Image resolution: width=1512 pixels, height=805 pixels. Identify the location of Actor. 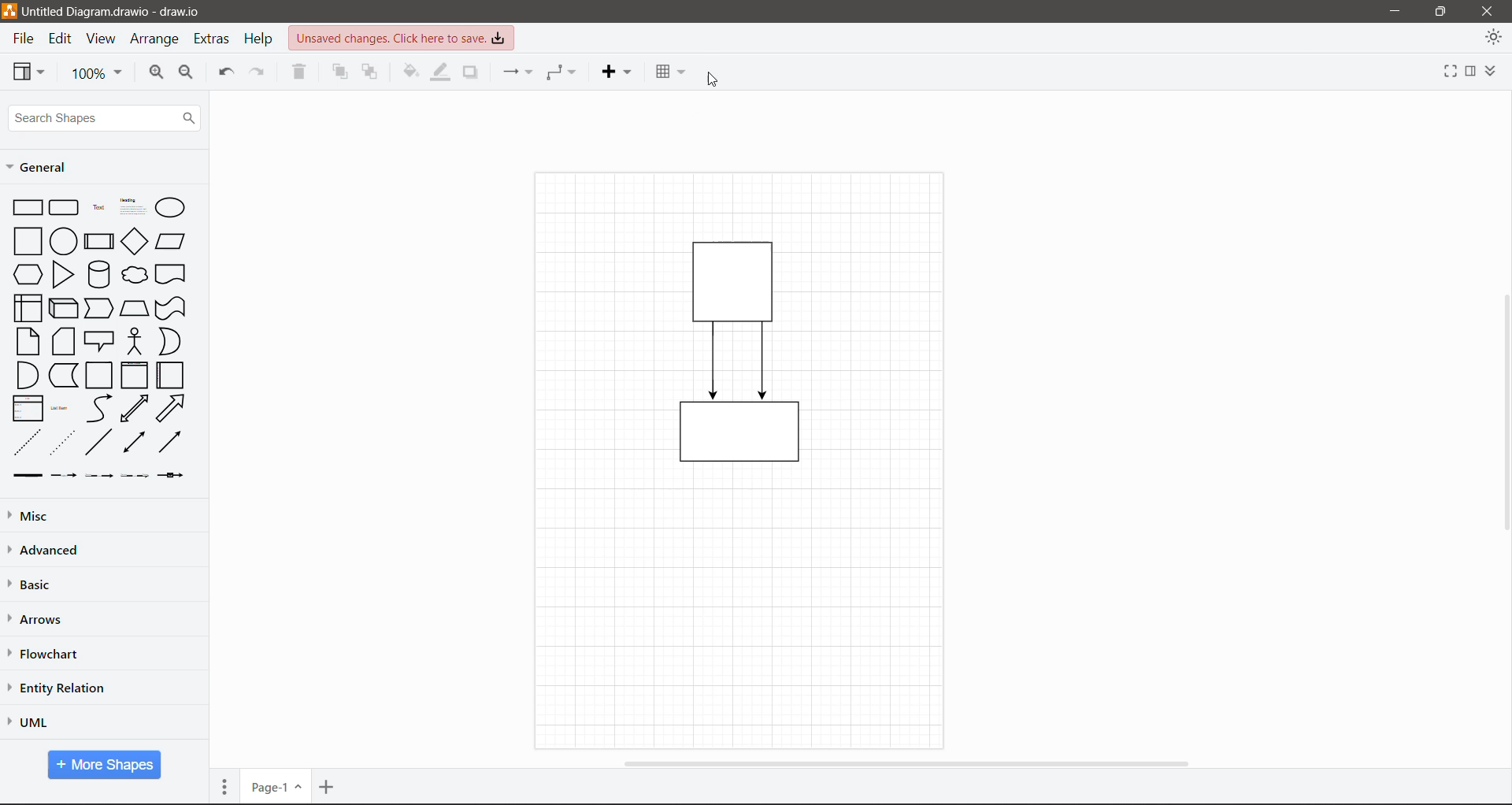
(134, 340).